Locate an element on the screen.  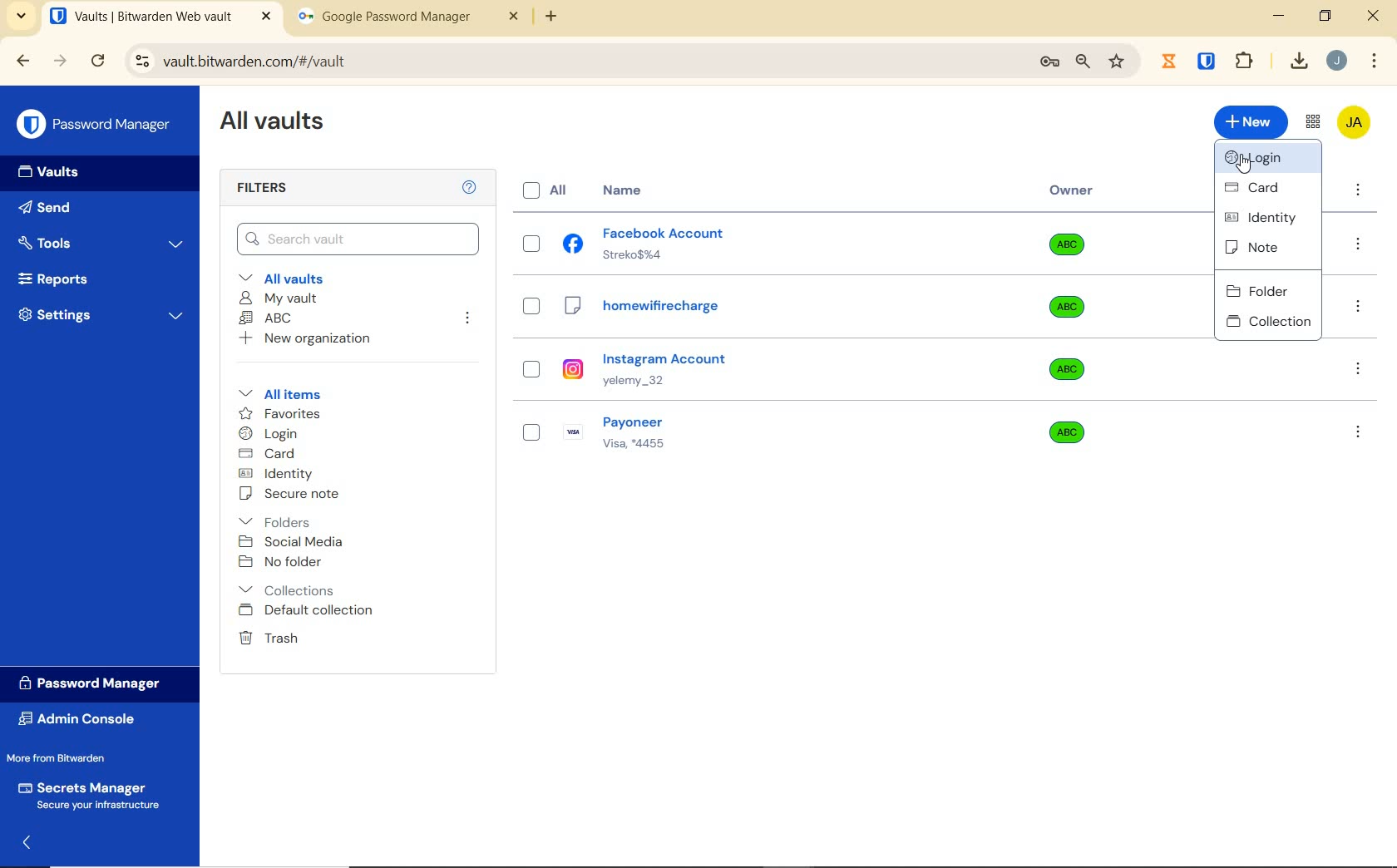
Search Vault is located at coordinates (358, 239).